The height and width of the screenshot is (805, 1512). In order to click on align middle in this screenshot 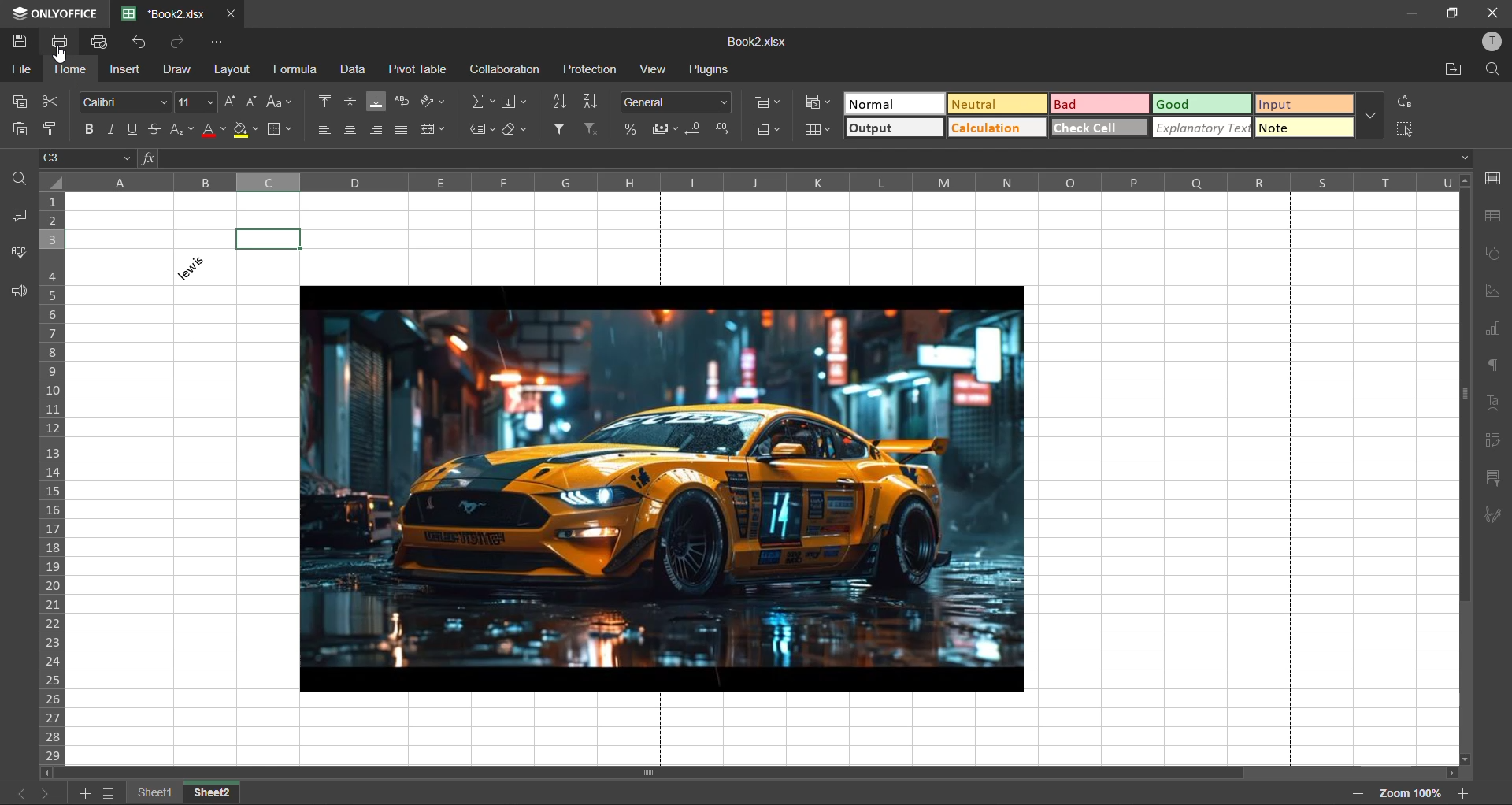, I will do `click(350, 102)`.